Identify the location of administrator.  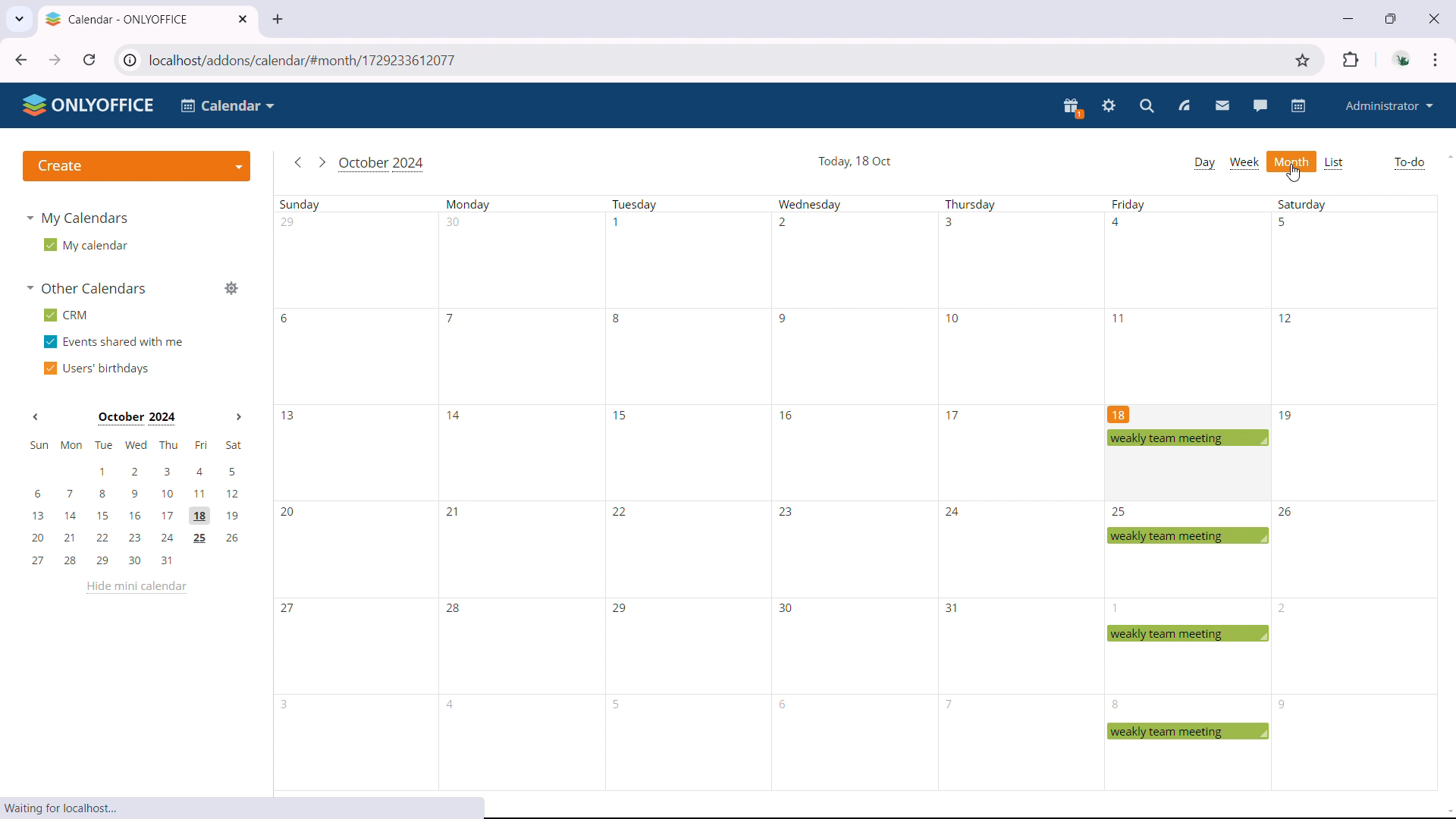
(1390, 105).